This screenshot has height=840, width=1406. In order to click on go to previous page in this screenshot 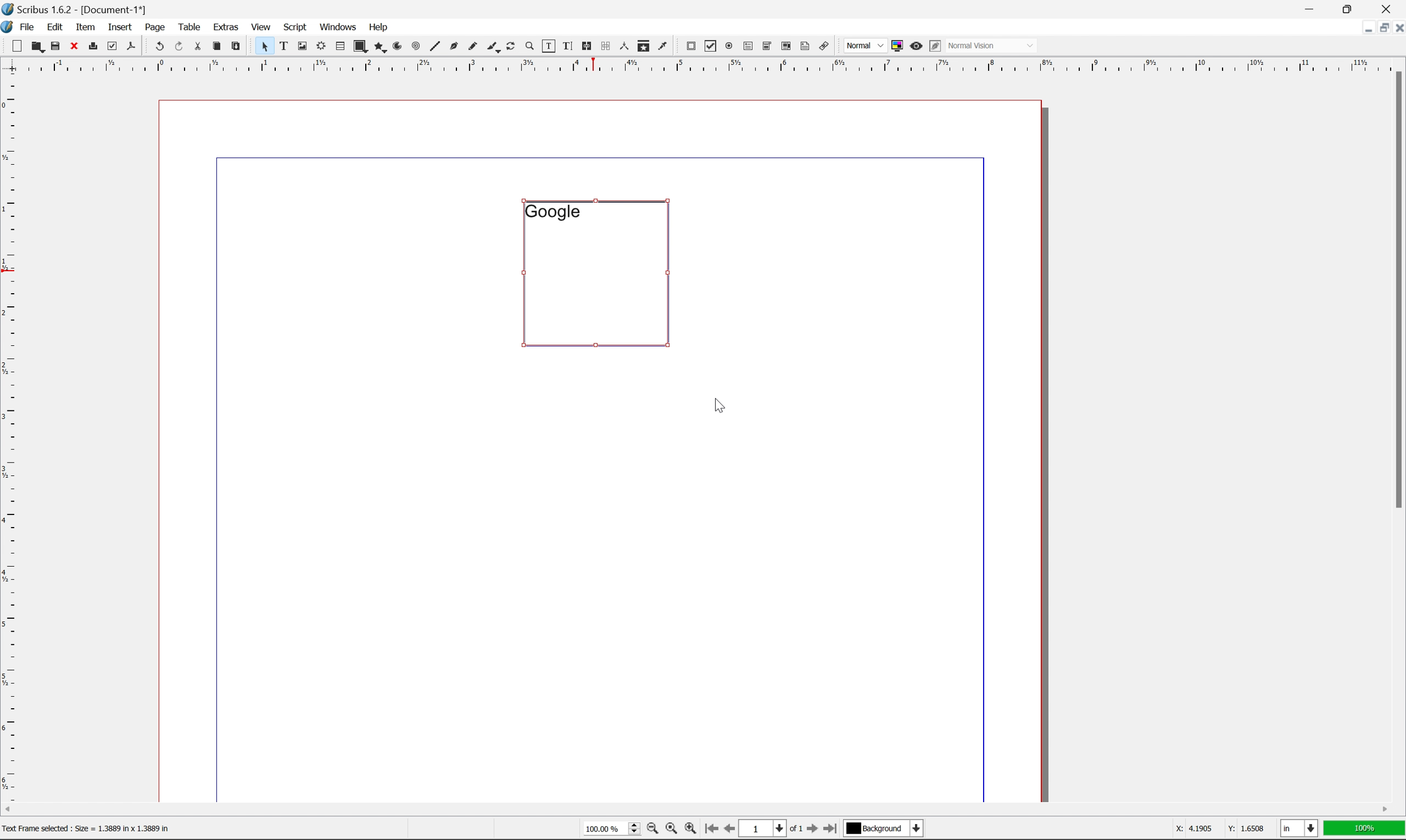, I will do `click(730, 830)`.